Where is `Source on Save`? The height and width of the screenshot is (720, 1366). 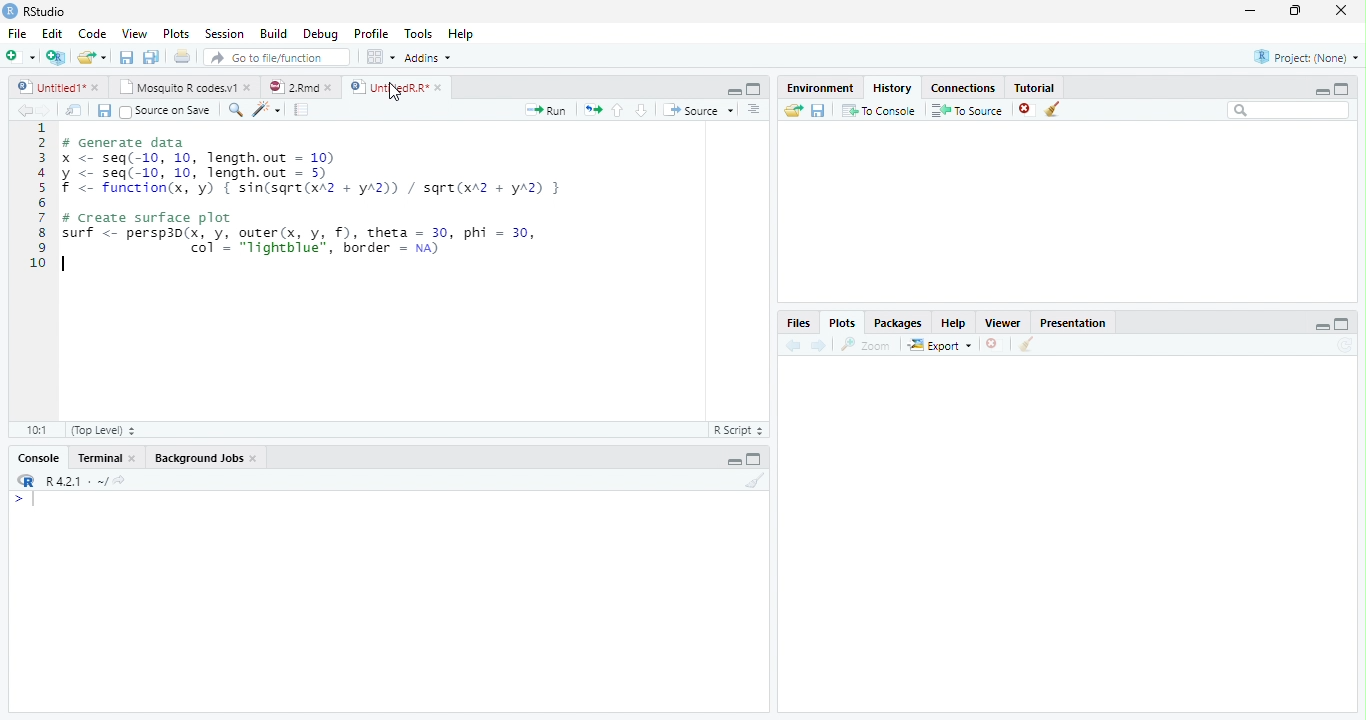 Source on Save is located at coordinates (167, 110).